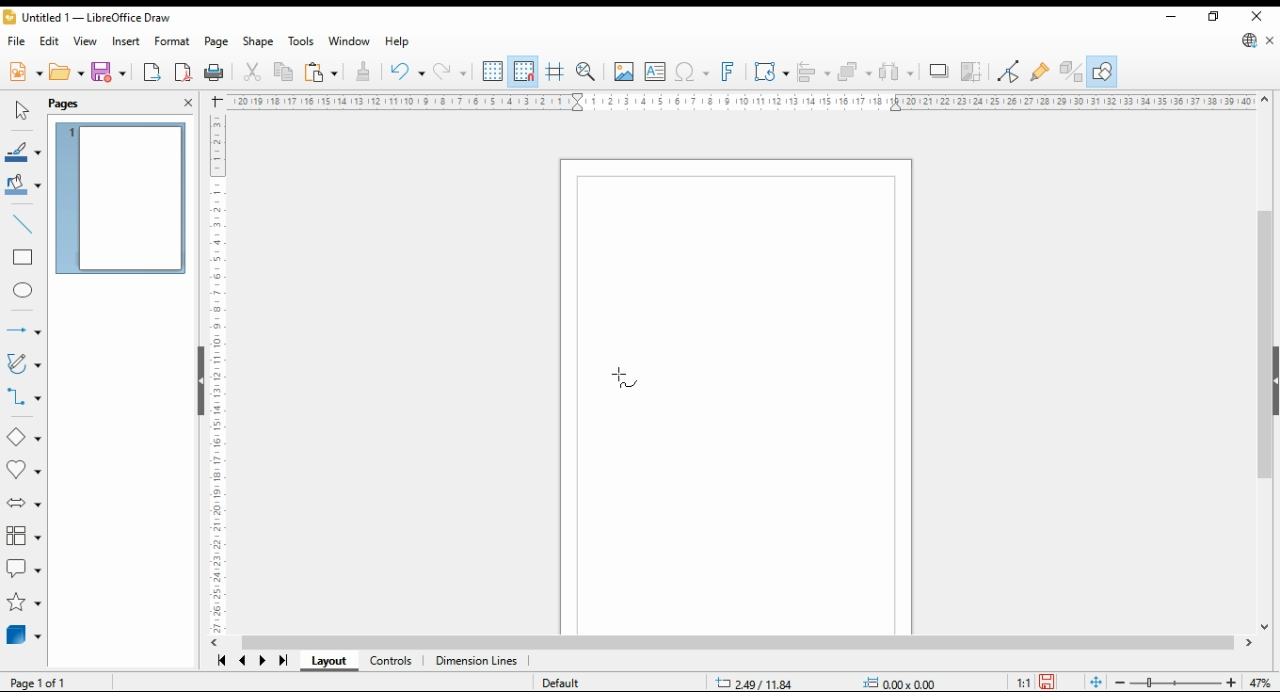 The height and width of the screenshot is (692, 1280). Describe the element at coordinates (23, 503) in the screenshot. I see `block arrows` at that location.